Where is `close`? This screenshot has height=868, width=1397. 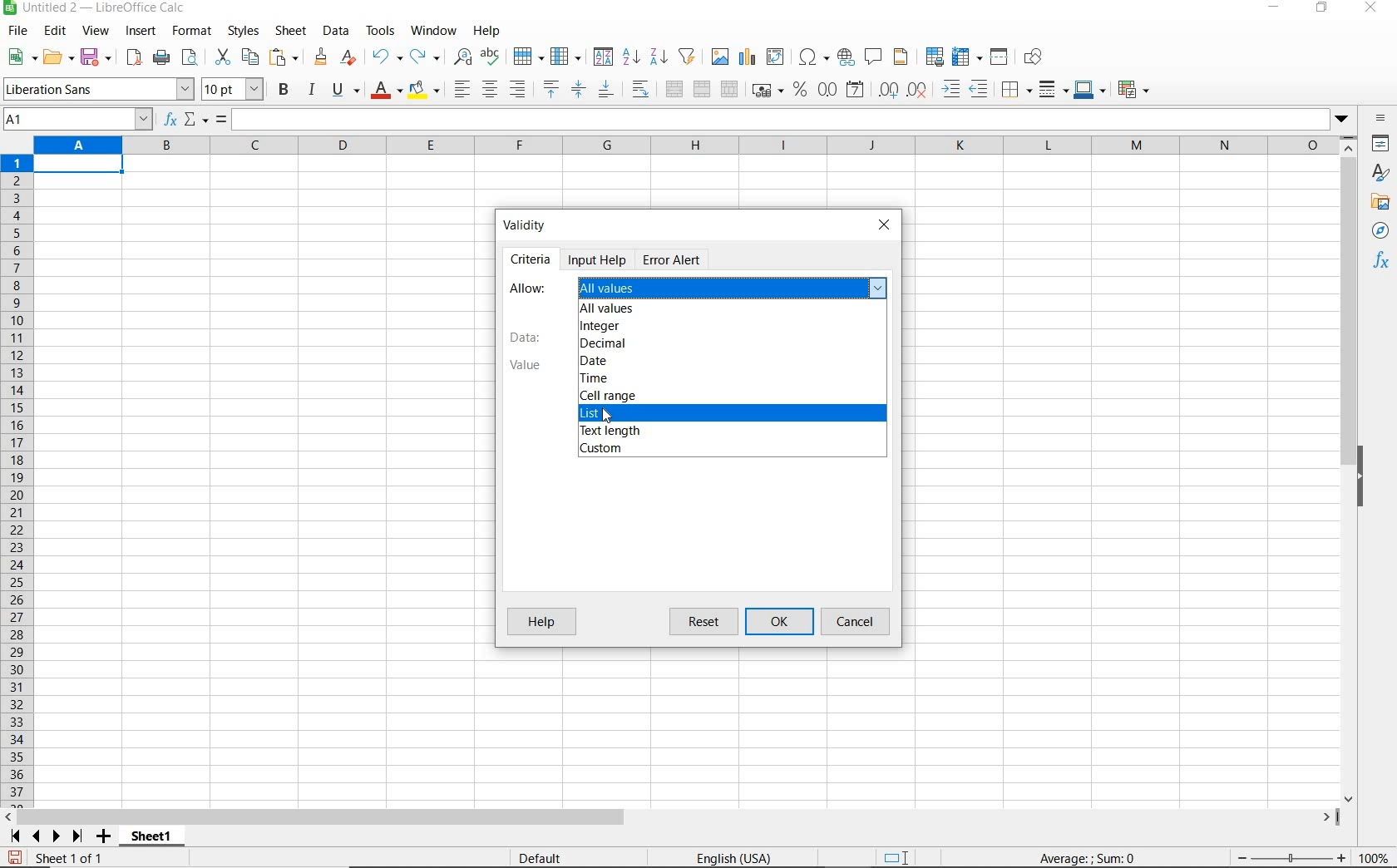 close is located at coordinates (1370, 8).